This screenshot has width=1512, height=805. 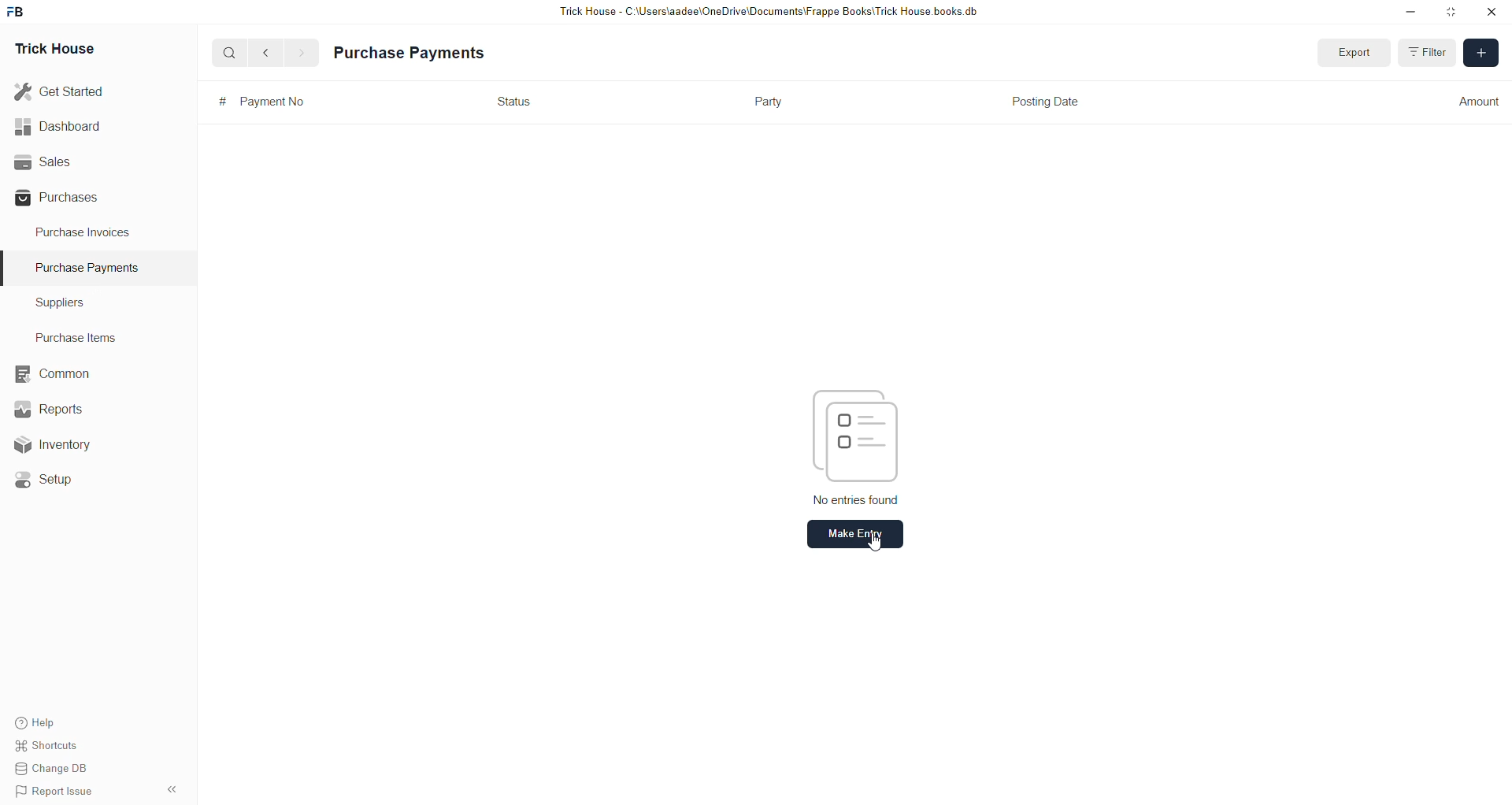 I want to click on Purchase Items., so click(x=73, y=336).